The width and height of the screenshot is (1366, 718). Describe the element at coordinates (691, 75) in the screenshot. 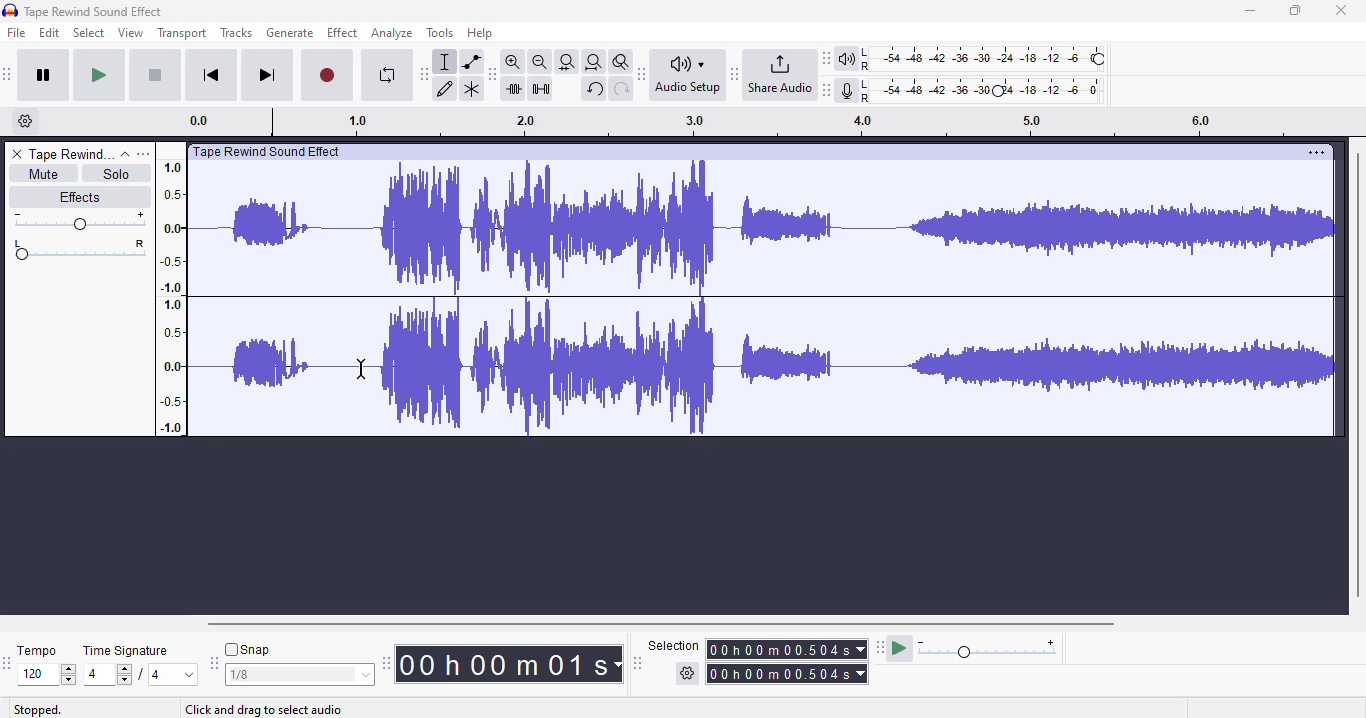

I see `audio setup` at that location.